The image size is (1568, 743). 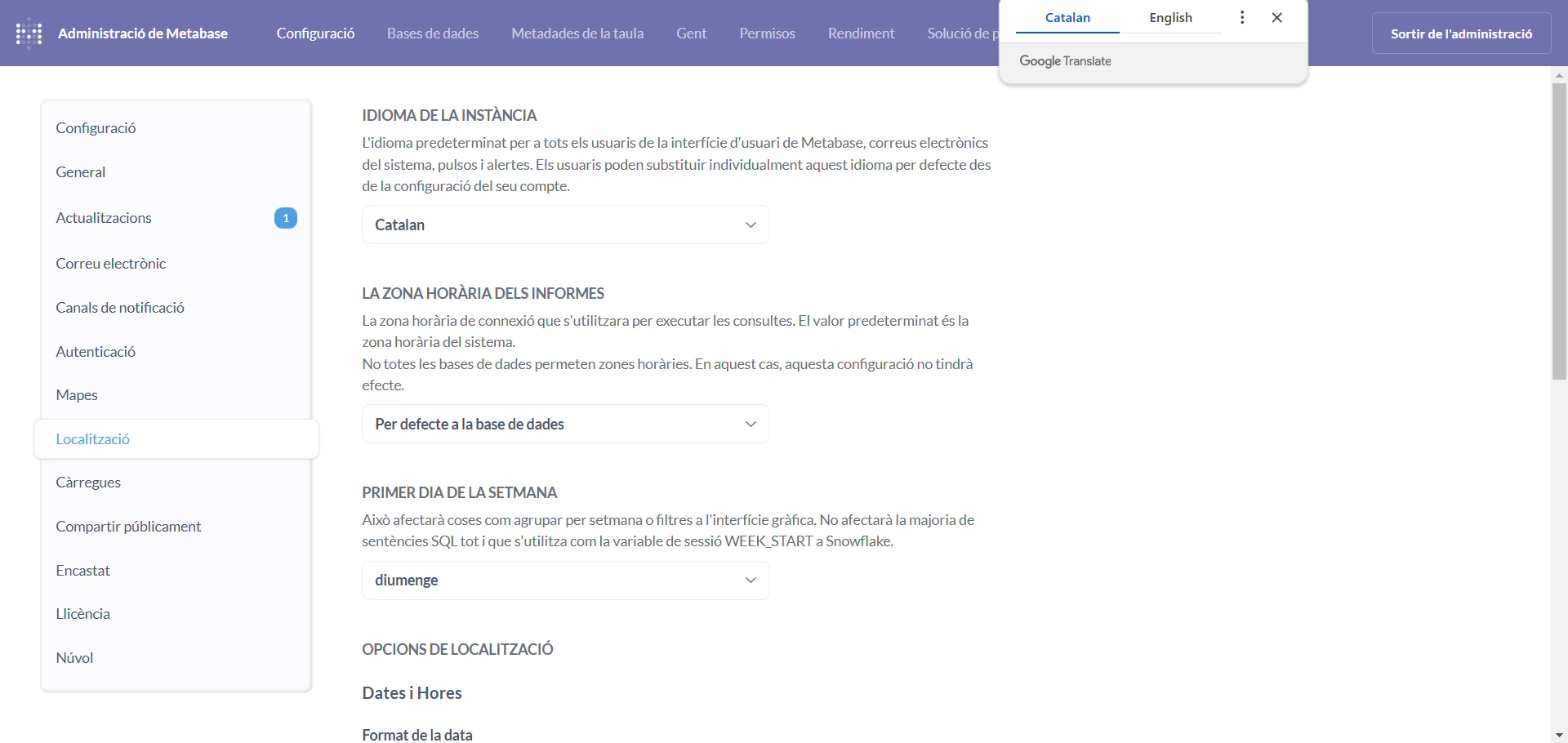 What do you see at coordinates (155, 654) in the screenshot?
I see `cloud` at bounding box center [155, 654].